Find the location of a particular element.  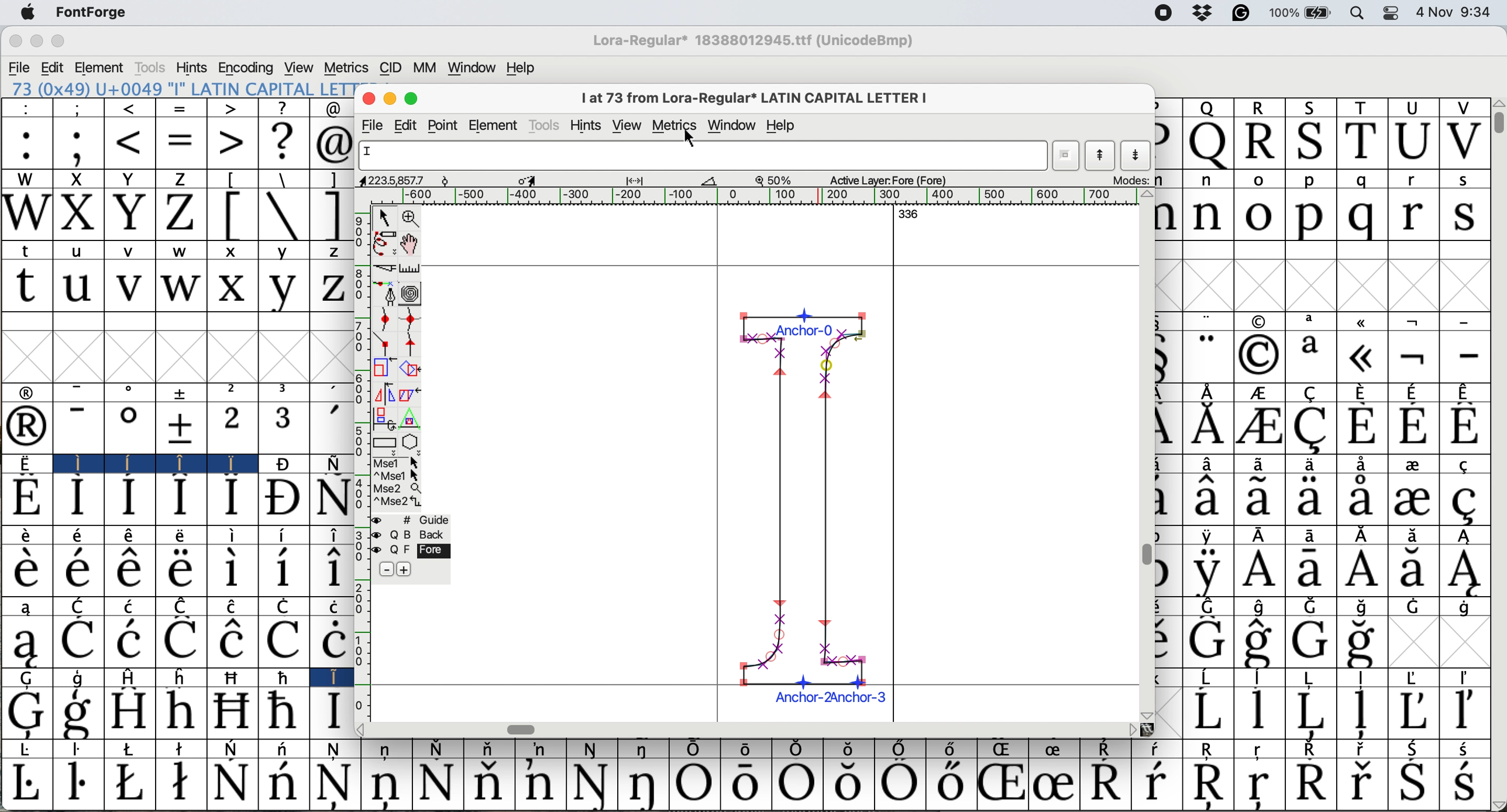

Symbol is located at coordinates (1360, 499).